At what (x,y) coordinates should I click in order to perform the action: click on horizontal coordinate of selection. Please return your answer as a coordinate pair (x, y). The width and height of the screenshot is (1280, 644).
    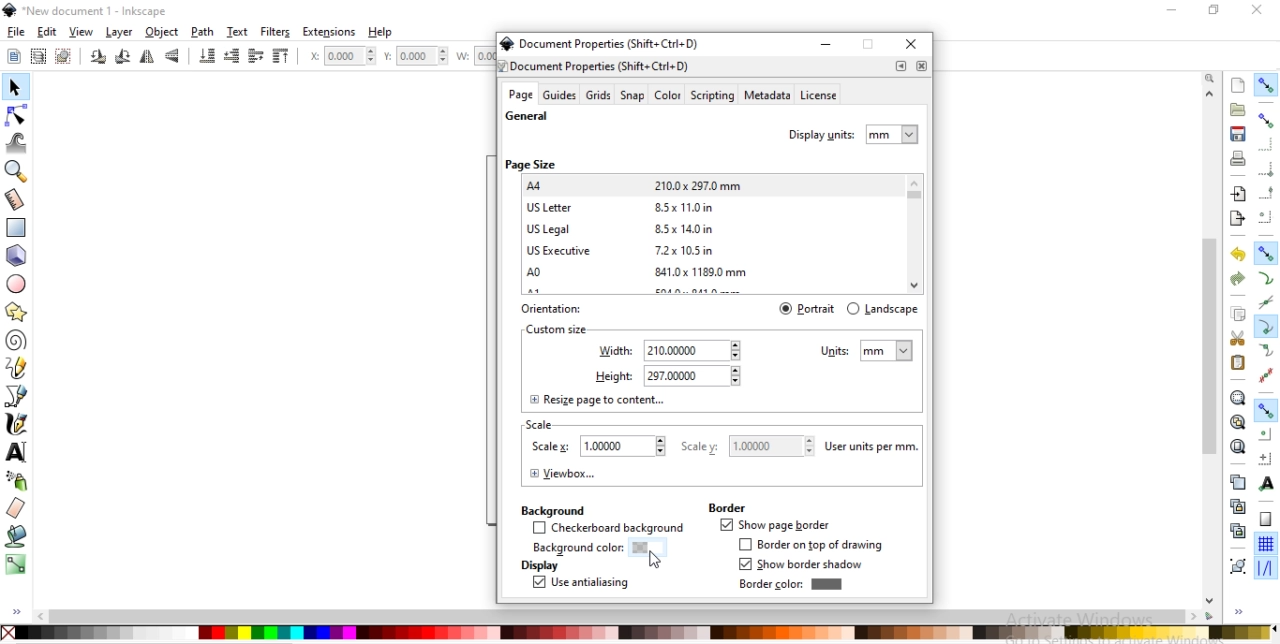
    Looking at the image, I should click on (340, 58).